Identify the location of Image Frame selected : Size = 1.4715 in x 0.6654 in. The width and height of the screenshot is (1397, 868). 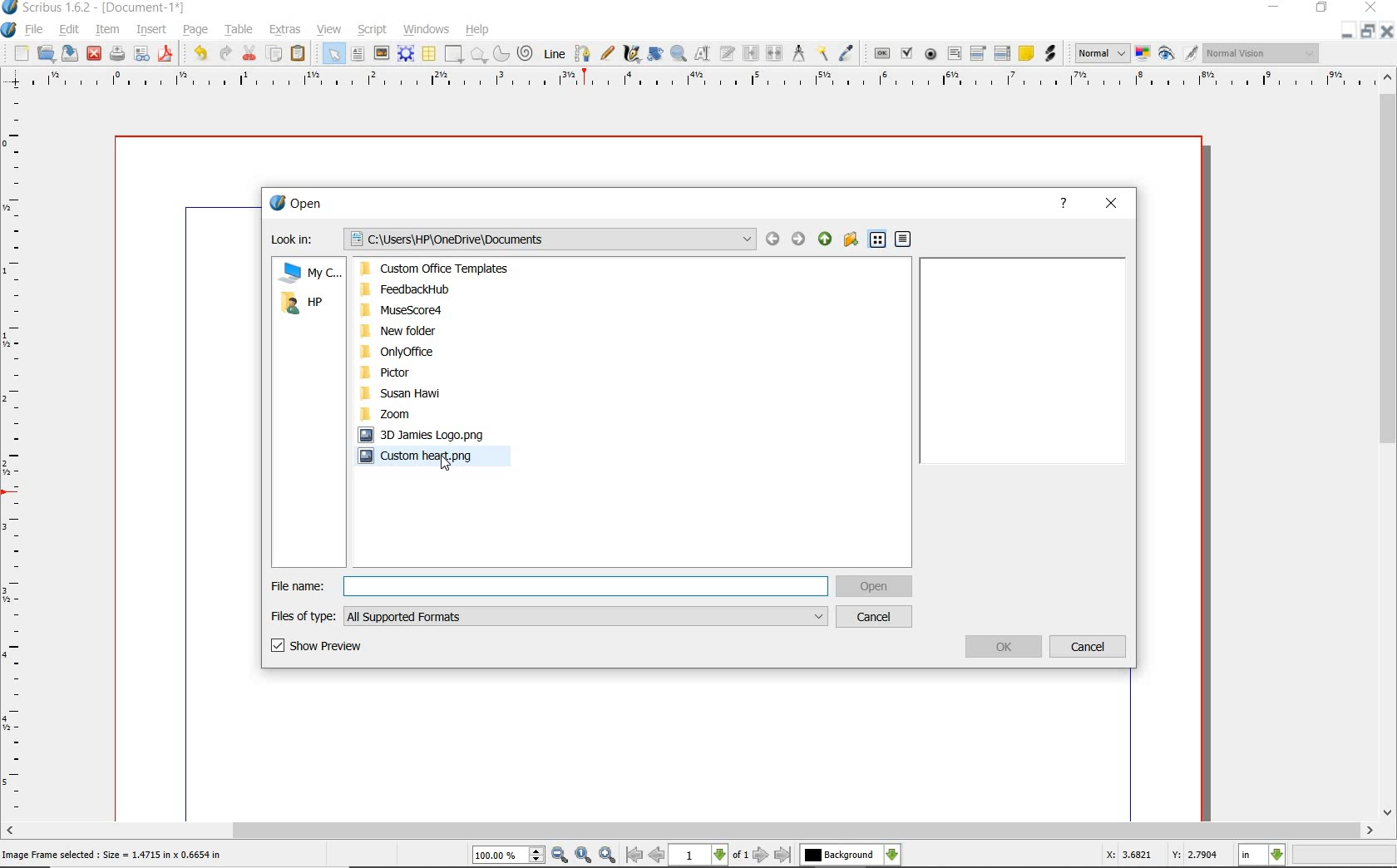
(112, 853).